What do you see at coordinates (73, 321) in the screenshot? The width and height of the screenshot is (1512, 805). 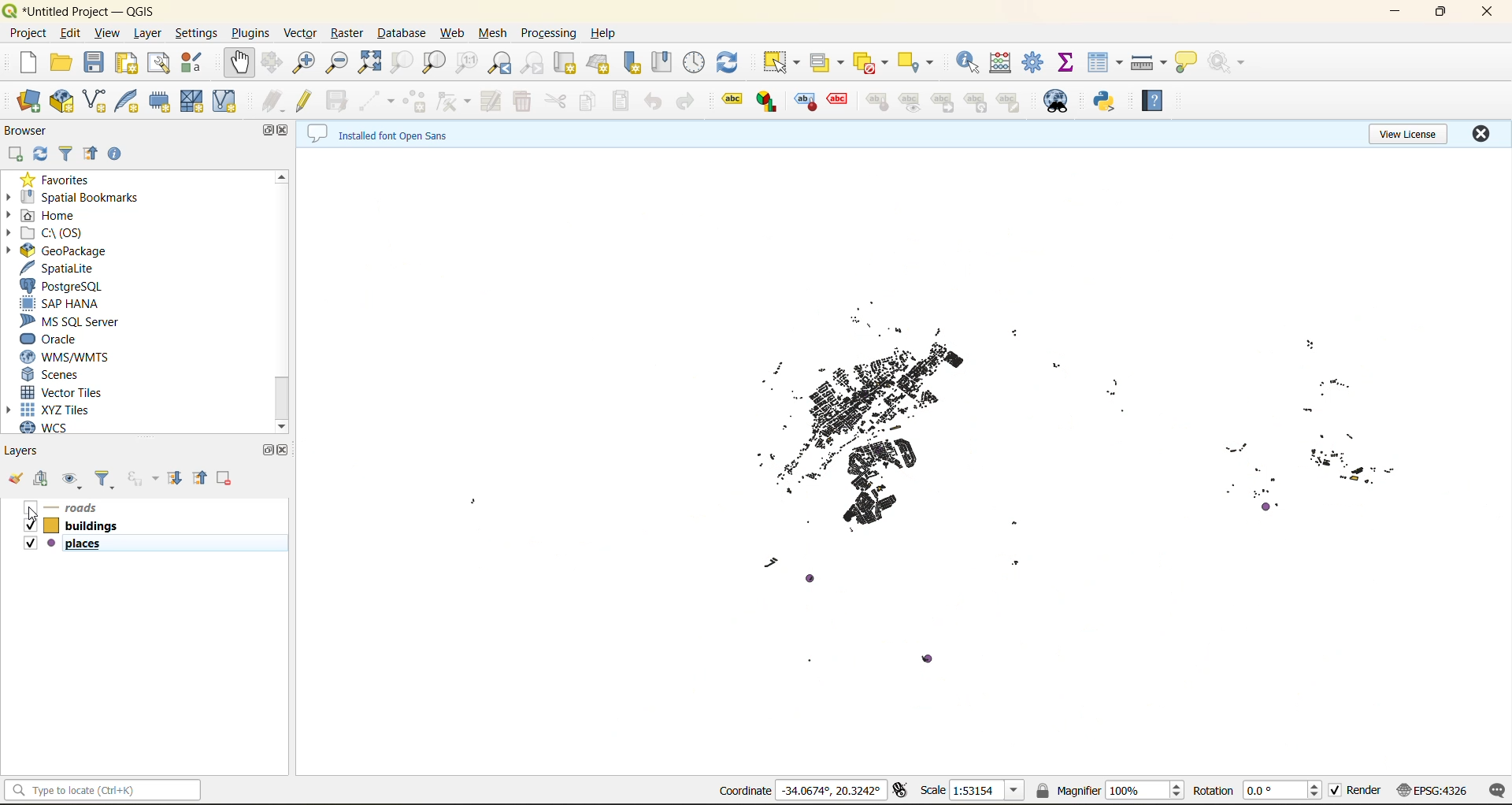 I see `ms sql server` at bounding box center [73, 321].